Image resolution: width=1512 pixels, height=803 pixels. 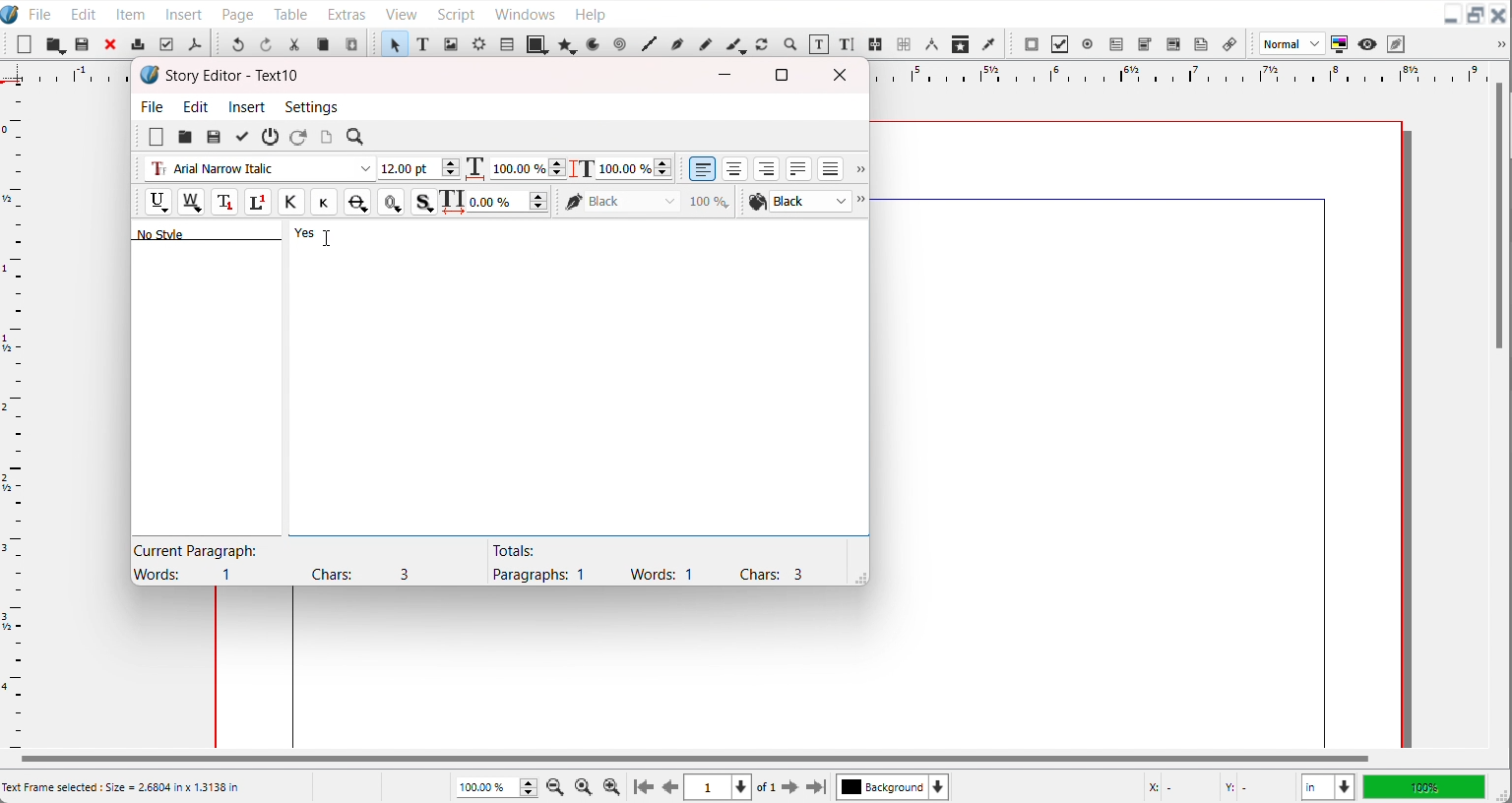 I want to click on open, so click(x=184, y=138).